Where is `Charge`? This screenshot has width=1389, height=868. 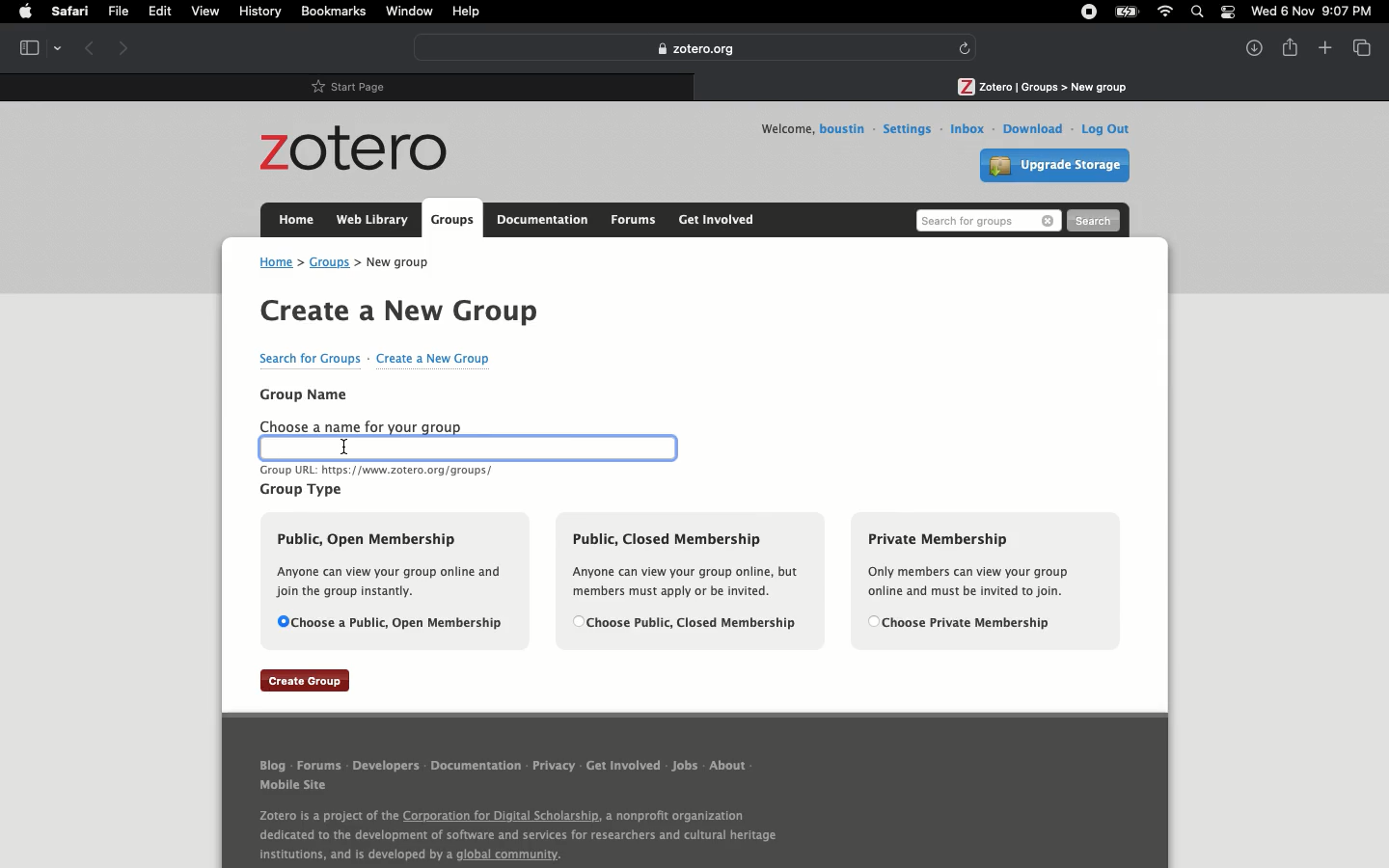
Charge is located at coordinates (1123, 12).